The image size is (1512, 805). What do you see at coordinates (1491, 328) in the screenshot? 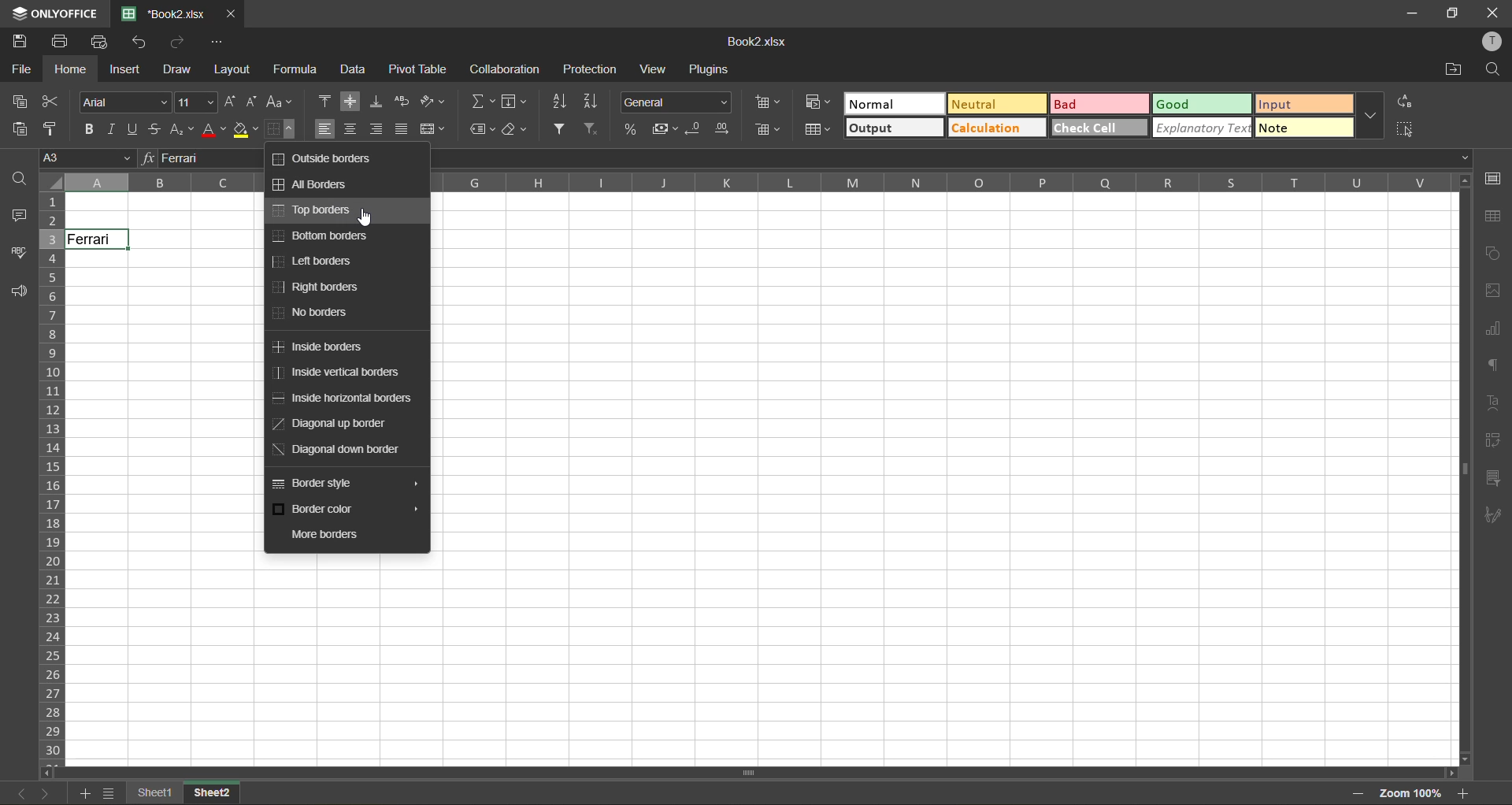
I see `charts` at bounding box center [1491, 328].